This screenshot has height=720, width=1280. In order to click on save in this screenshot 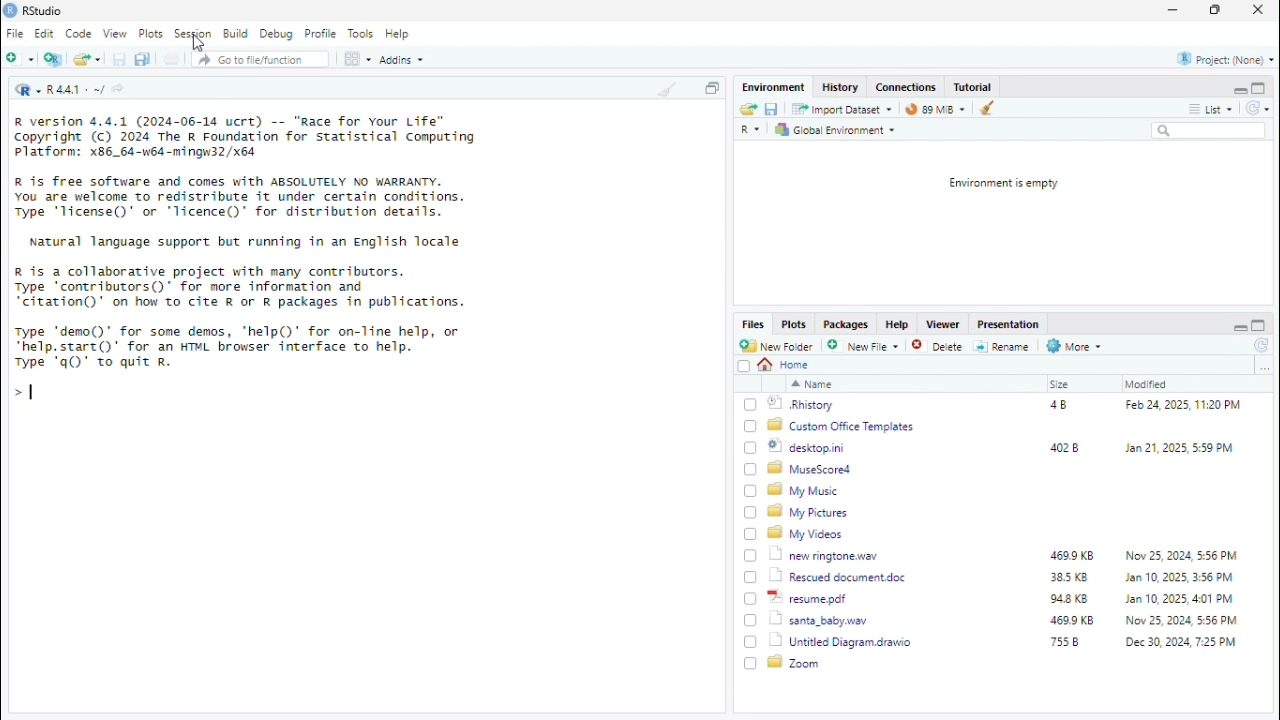, I will do `click(773, 109)`.